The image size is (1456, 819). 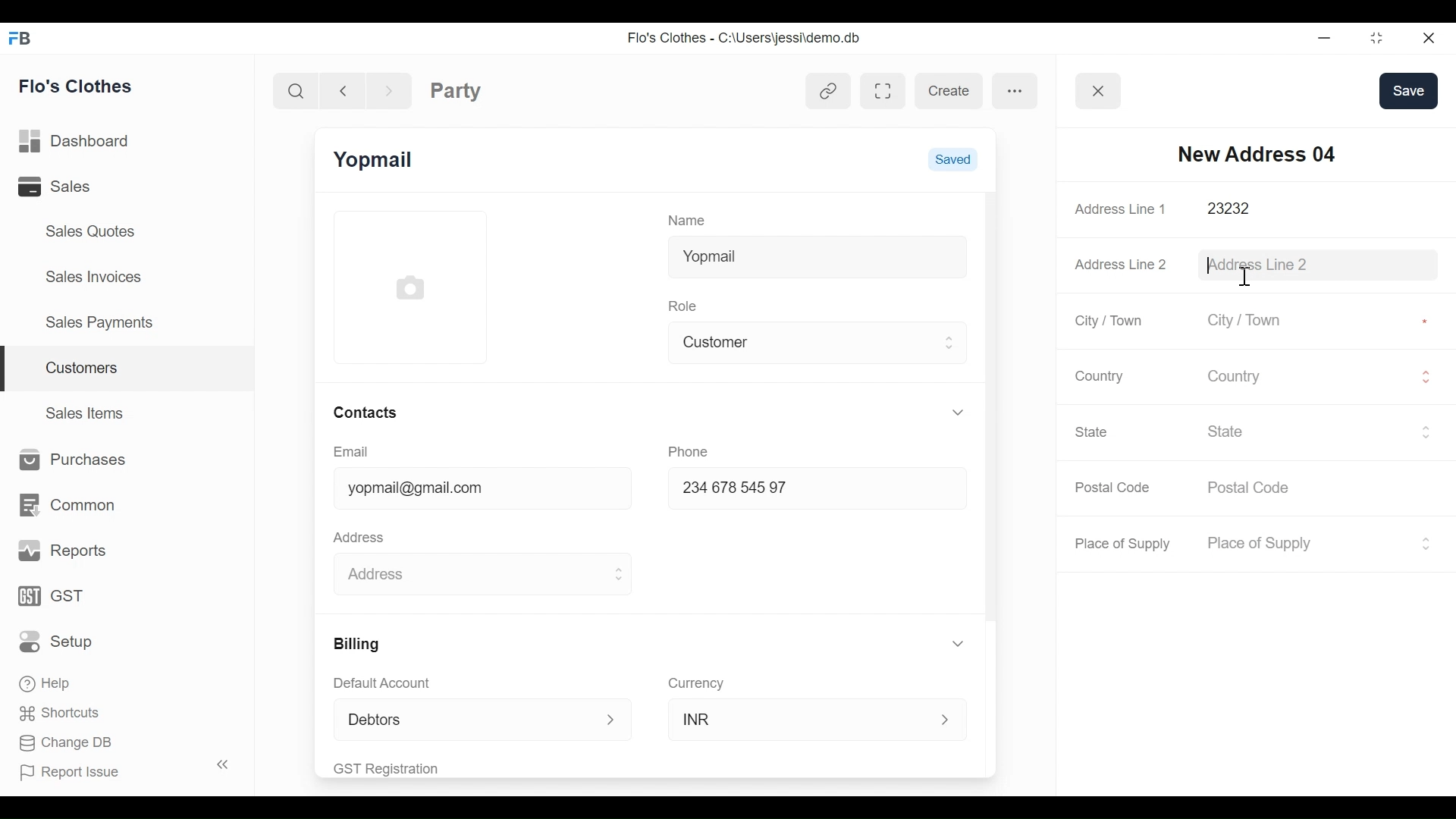 What do you see at coordinates (1408, 90) in the screenshot?
I see `save` at bounding box center [1408, 90].